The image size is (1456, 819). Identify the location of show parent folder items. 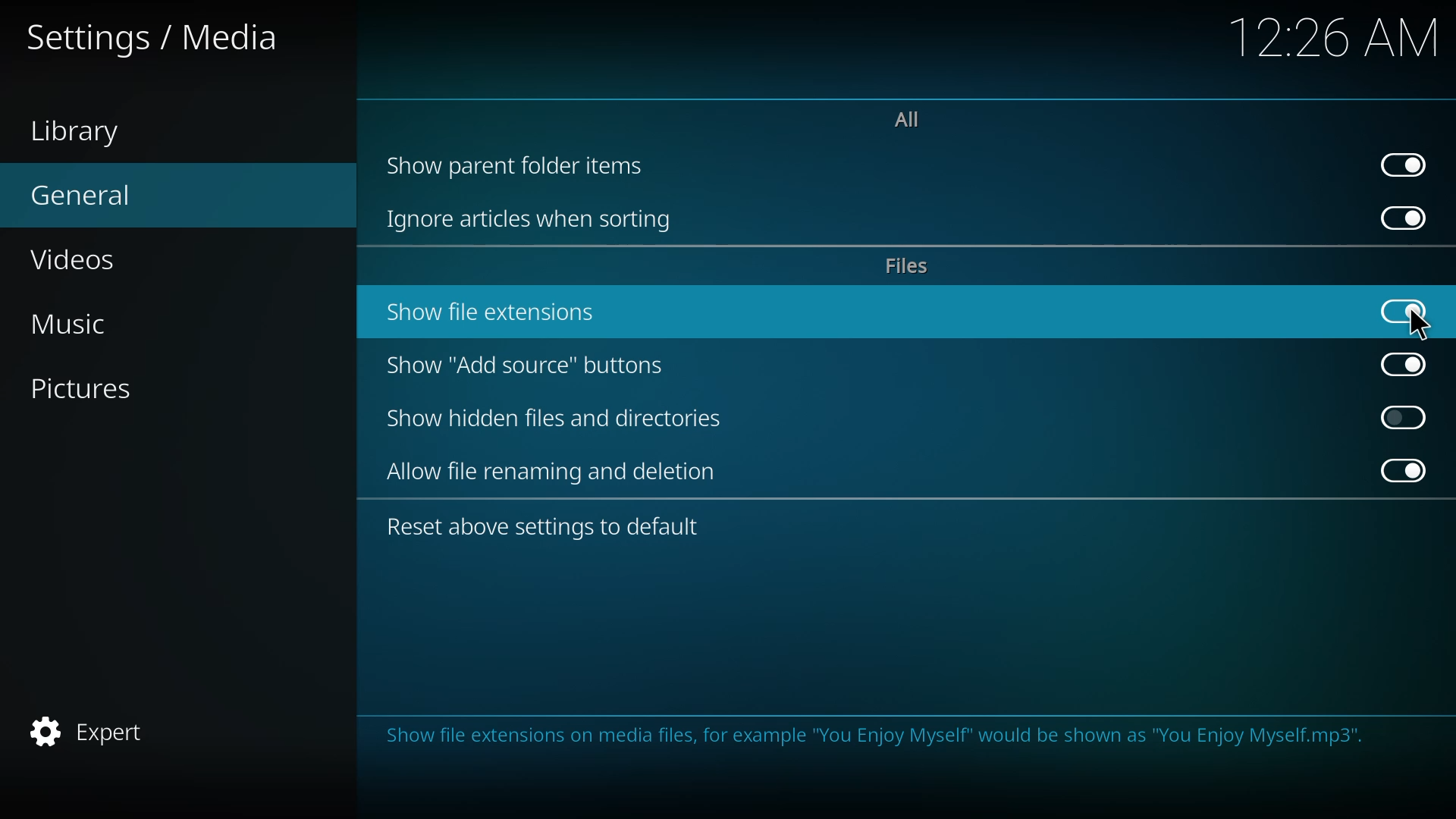
(519, 164).